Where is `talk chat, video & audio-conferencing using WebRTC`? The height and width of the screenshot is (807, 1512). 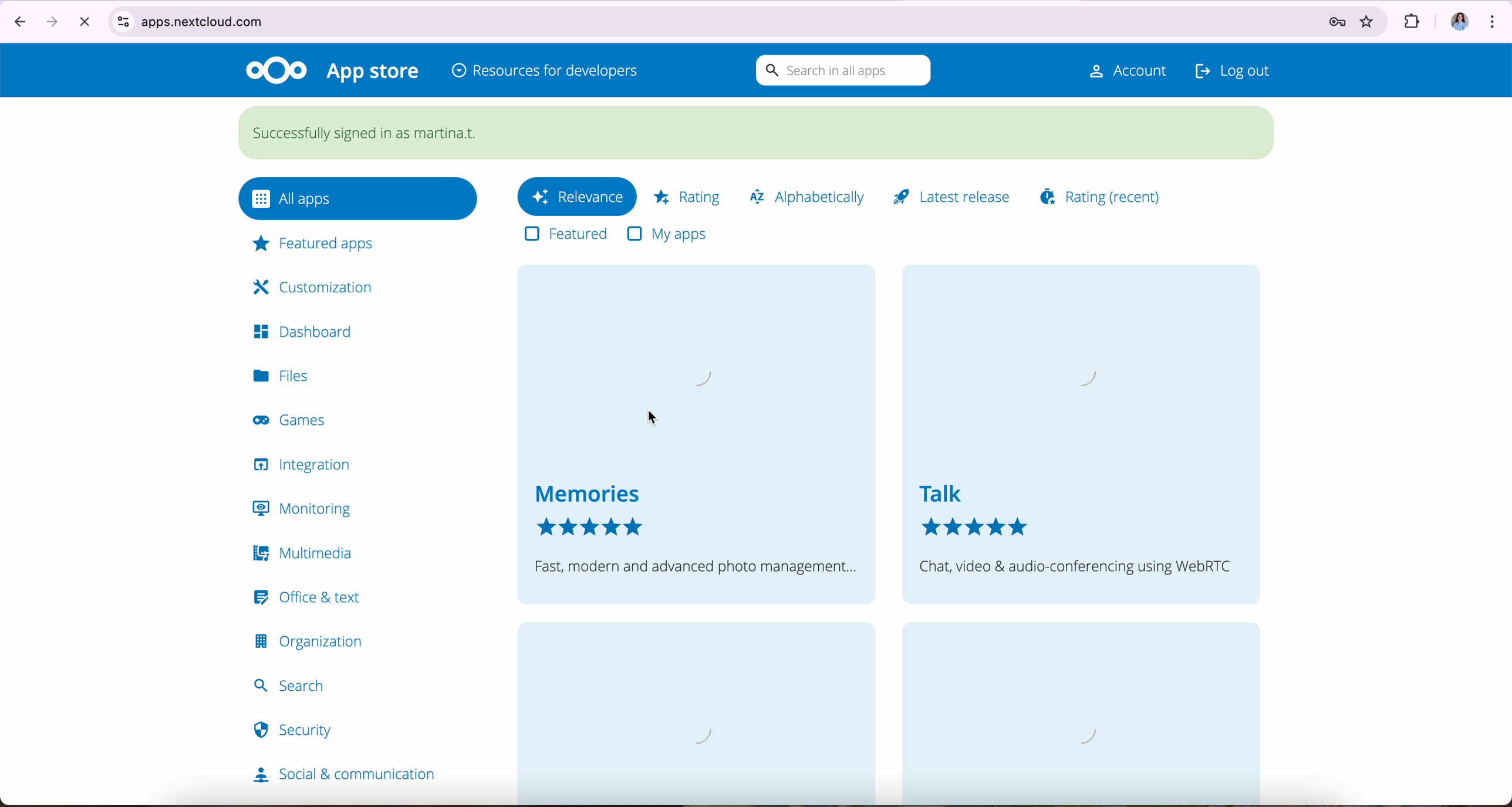 talk chat, video & audio-conferencing using WebRTC is located at coordinates (1081, 433).